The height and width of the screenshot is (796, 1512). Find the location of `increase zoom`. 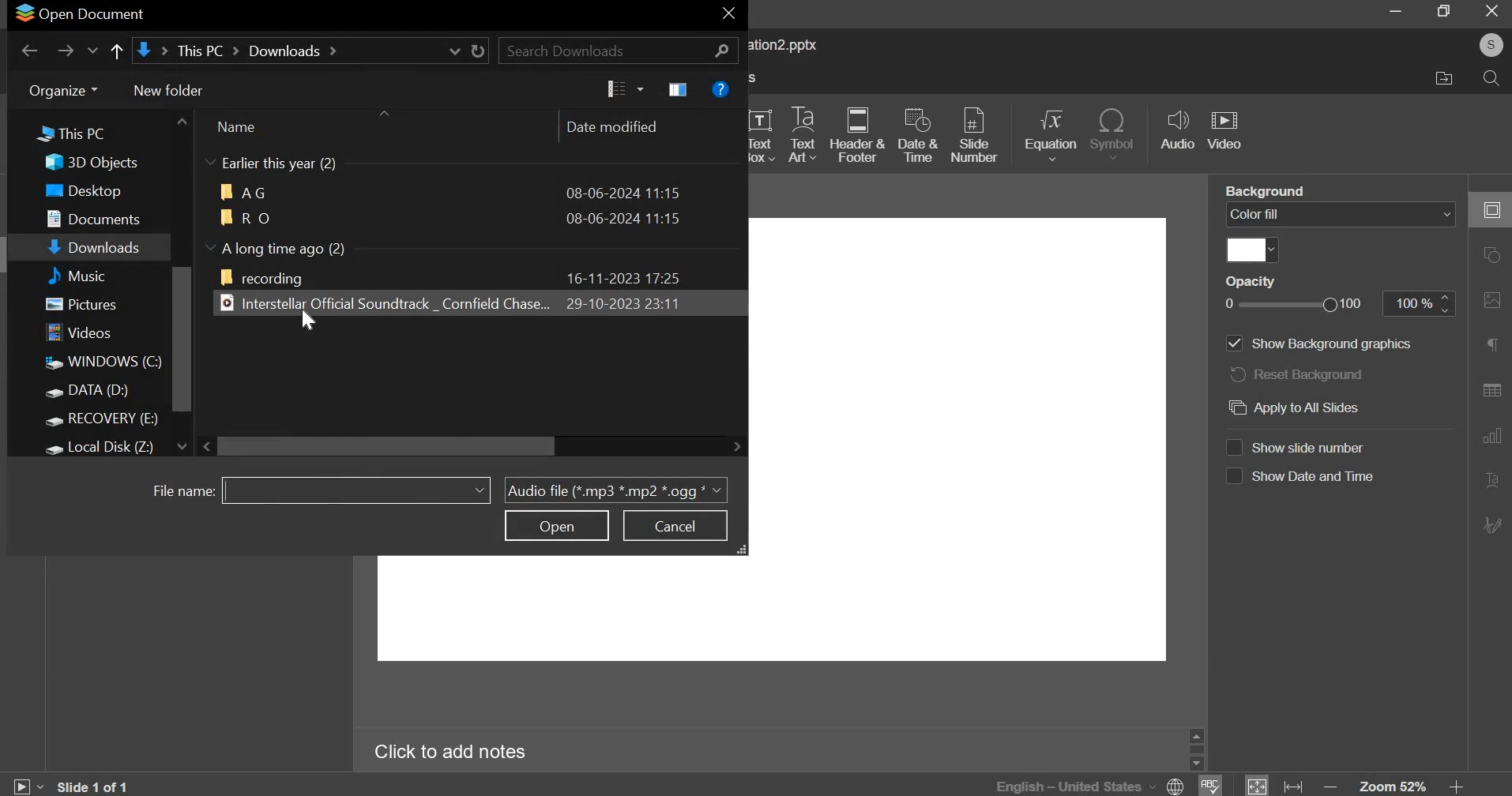

increase zoom is located at coordinates (1457, 784).